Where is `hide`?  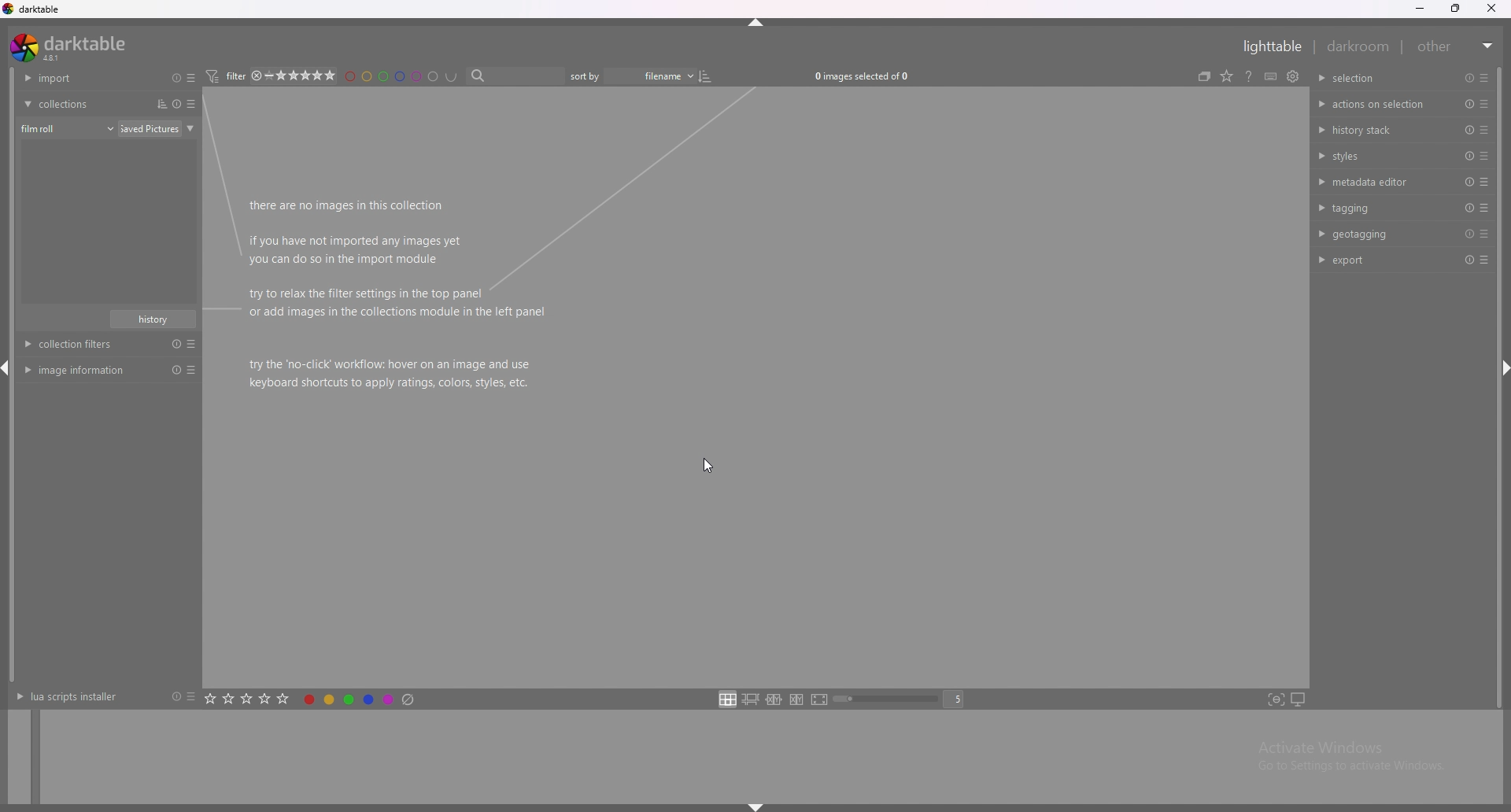 hide is located at coordinates (752, 806).